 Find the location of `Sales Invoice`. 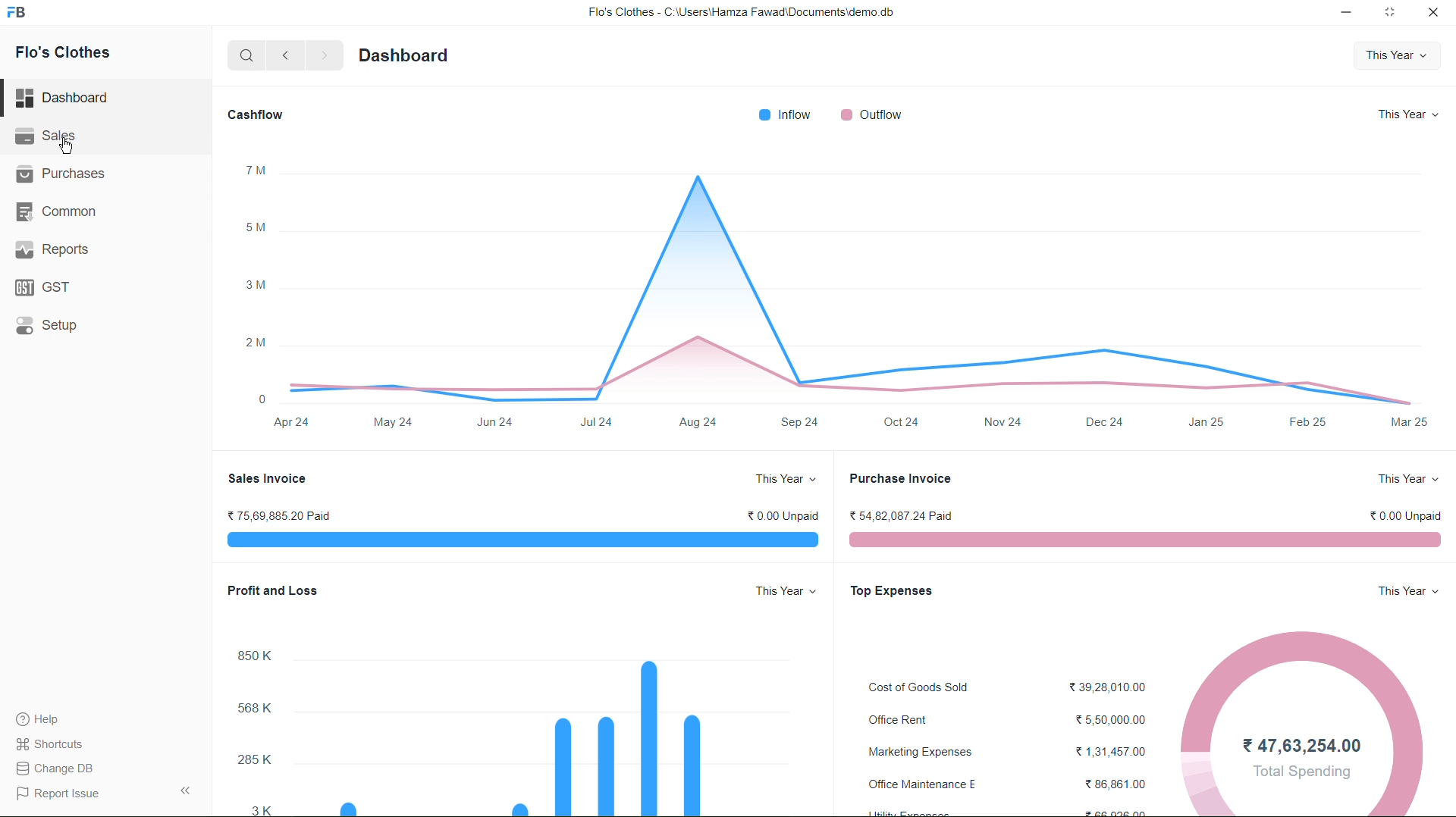

Sales Invoice is located at coordinates (268, 478).